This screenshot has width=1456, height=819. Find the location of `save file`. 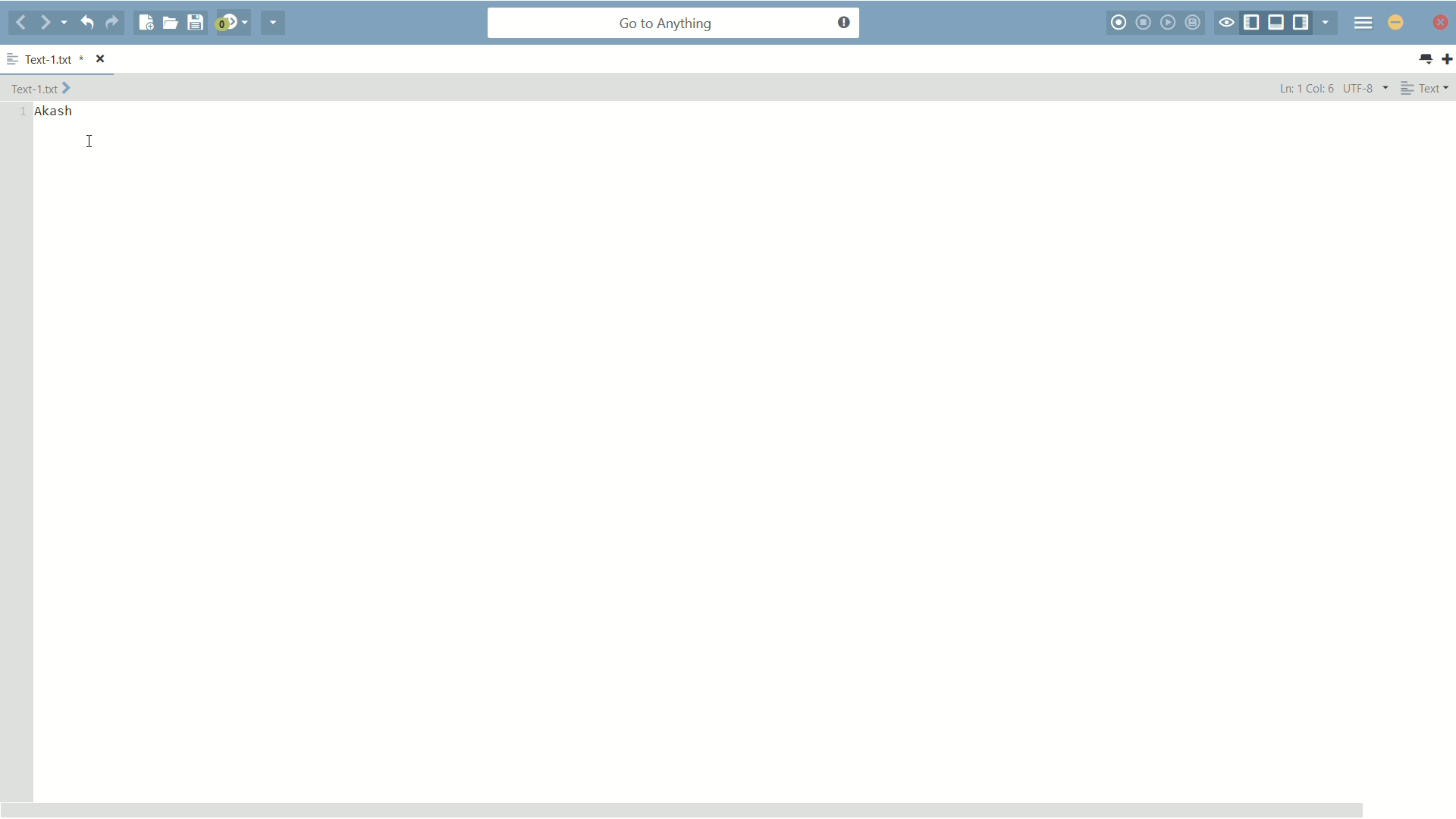

save file is located at coordinates (196, 23).